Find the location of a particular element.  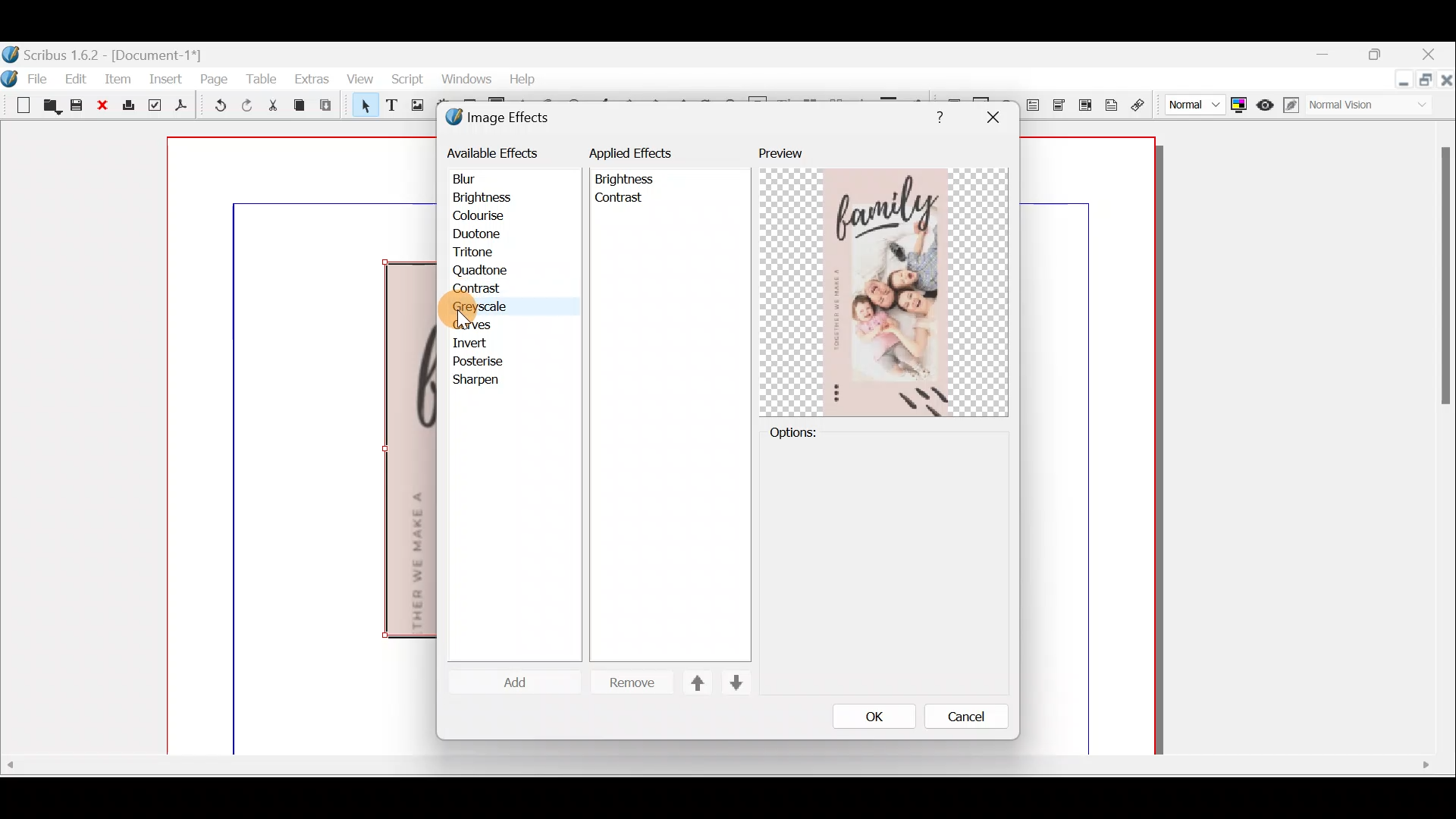

sharpen is located at coordinates (479, 381).